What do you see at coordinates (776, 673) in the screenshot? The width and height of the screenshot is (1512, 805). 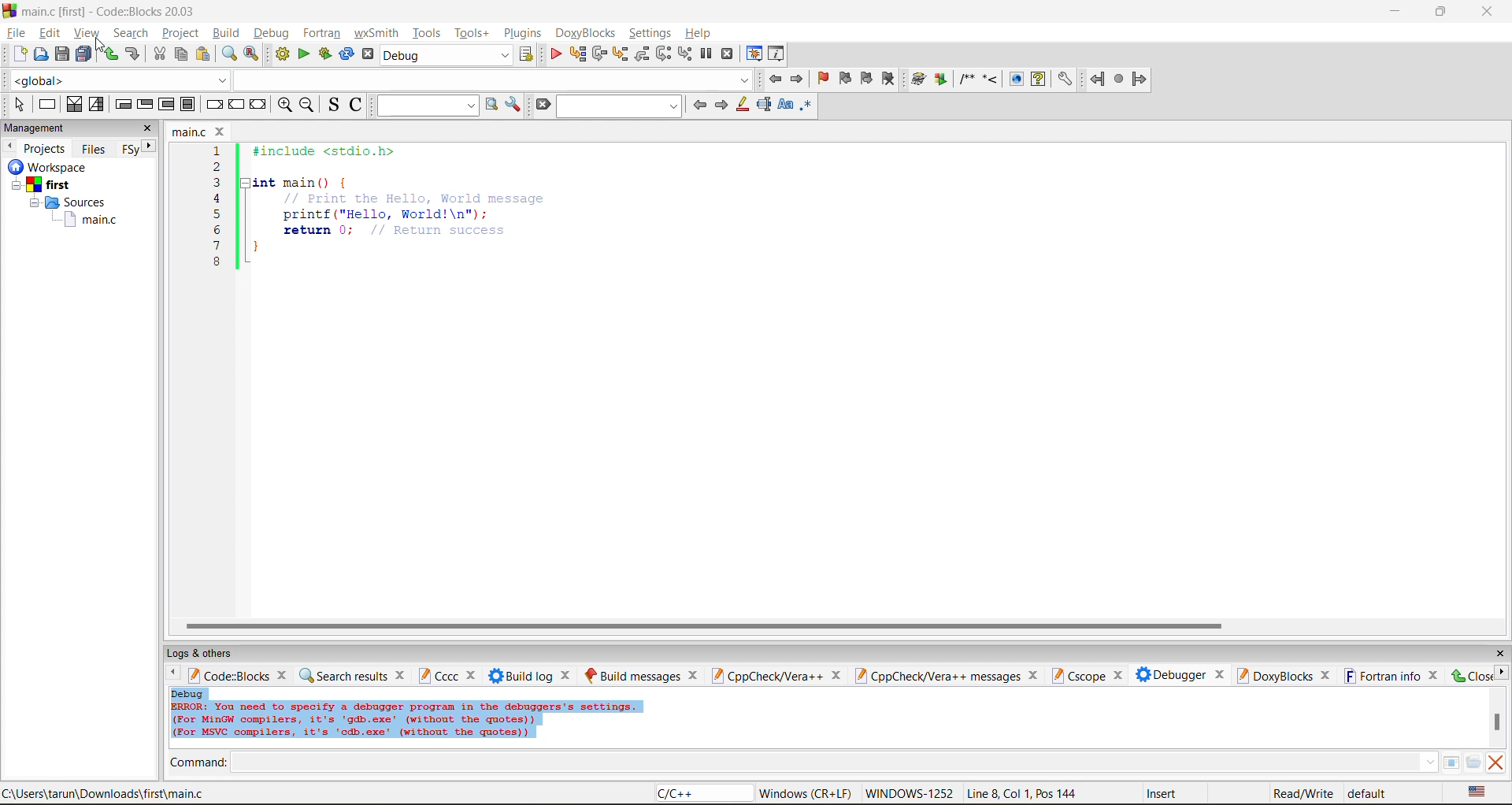 I see `cppcheck/vera++` at bounding box center [776, 673].